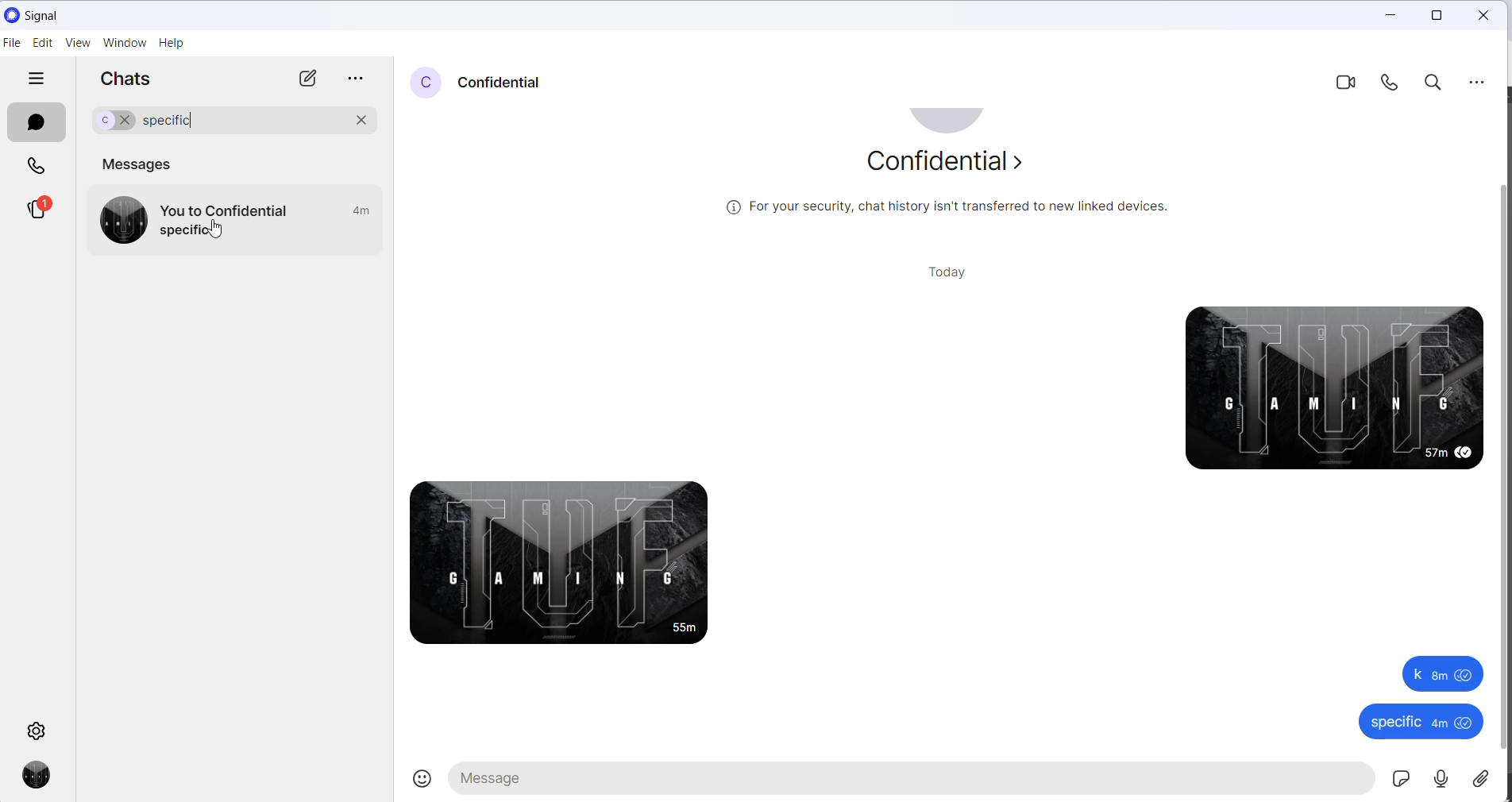  What do you see at coordinates (424, 83) in the screenshot?
I see `profile picture` at bounding box center [424, 83].